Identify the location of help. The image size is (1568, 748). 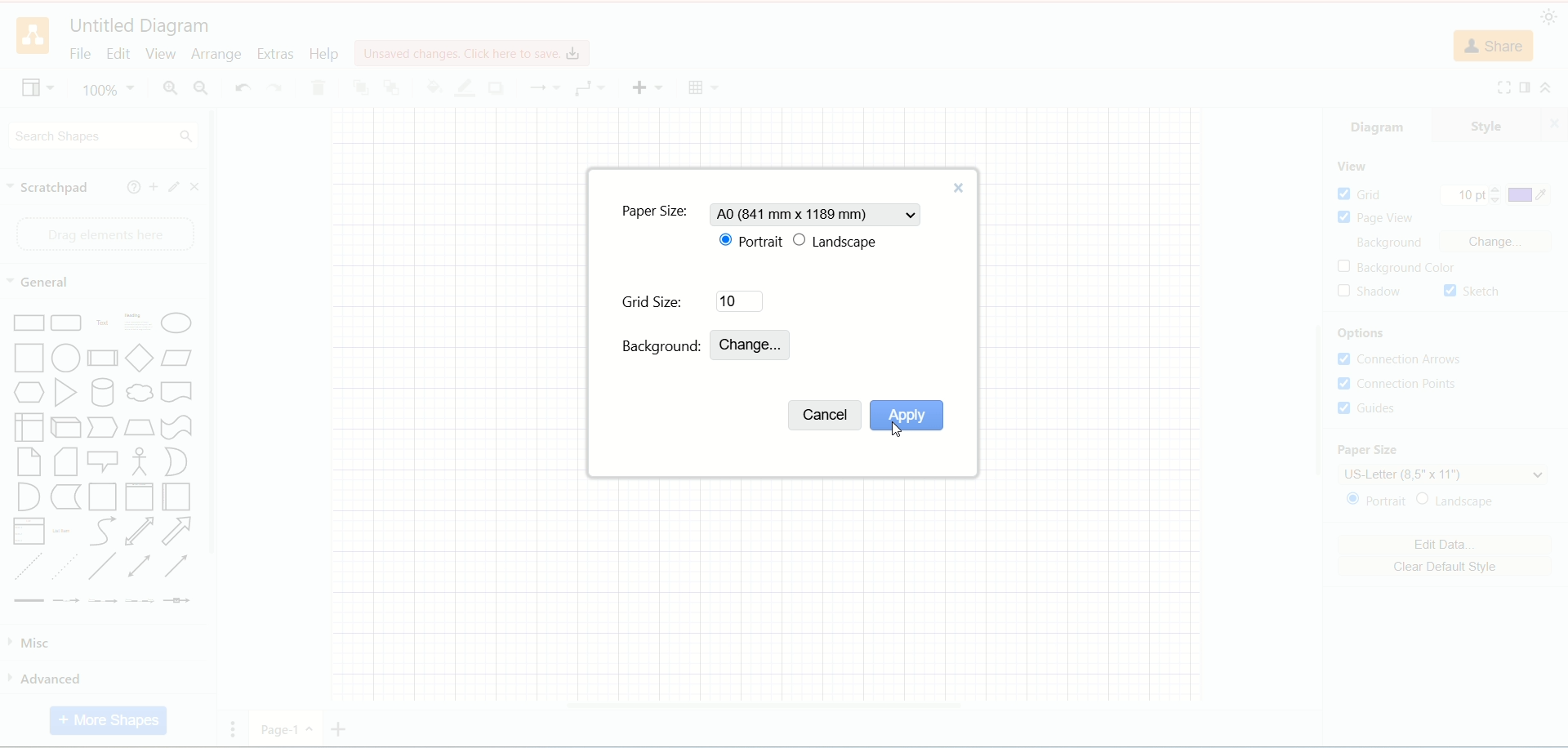
(324, 54).